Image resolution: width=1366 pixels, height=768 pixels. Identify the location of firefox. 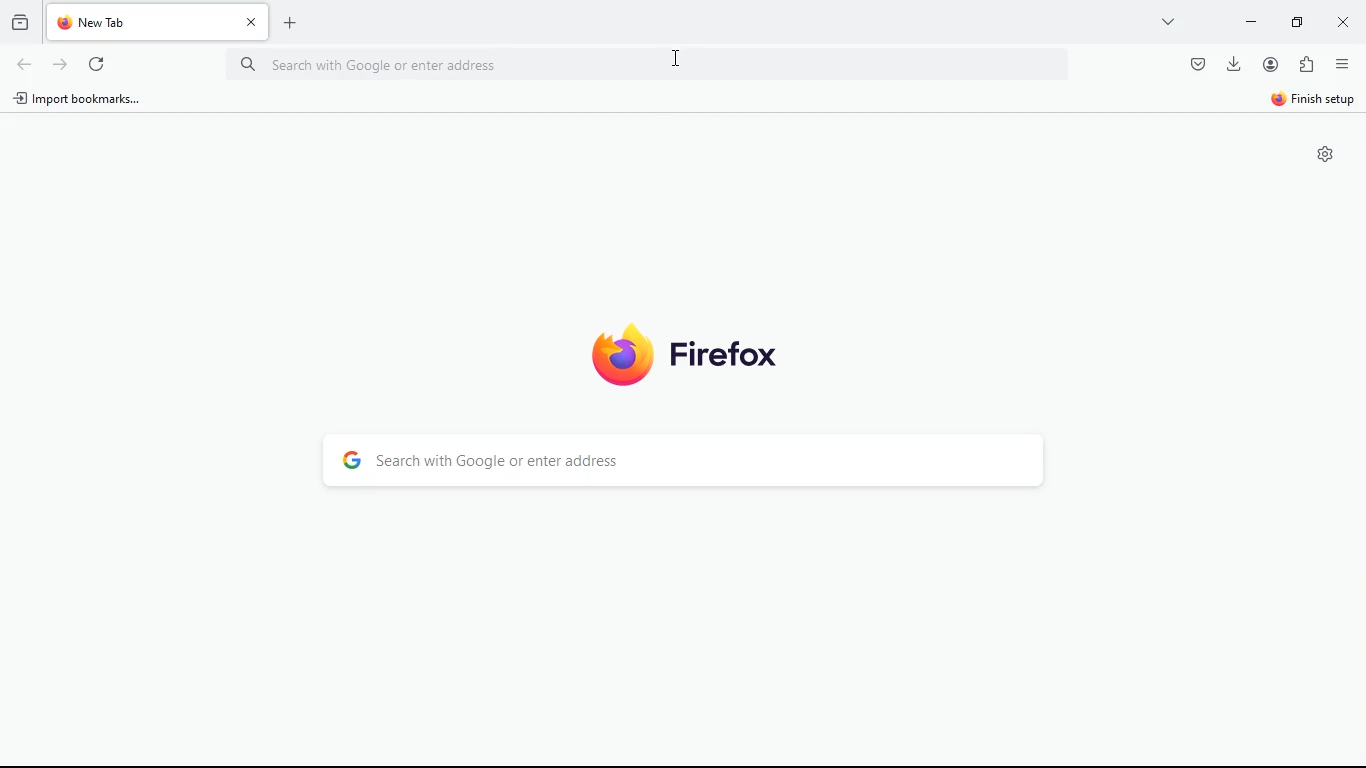
(684, 358).